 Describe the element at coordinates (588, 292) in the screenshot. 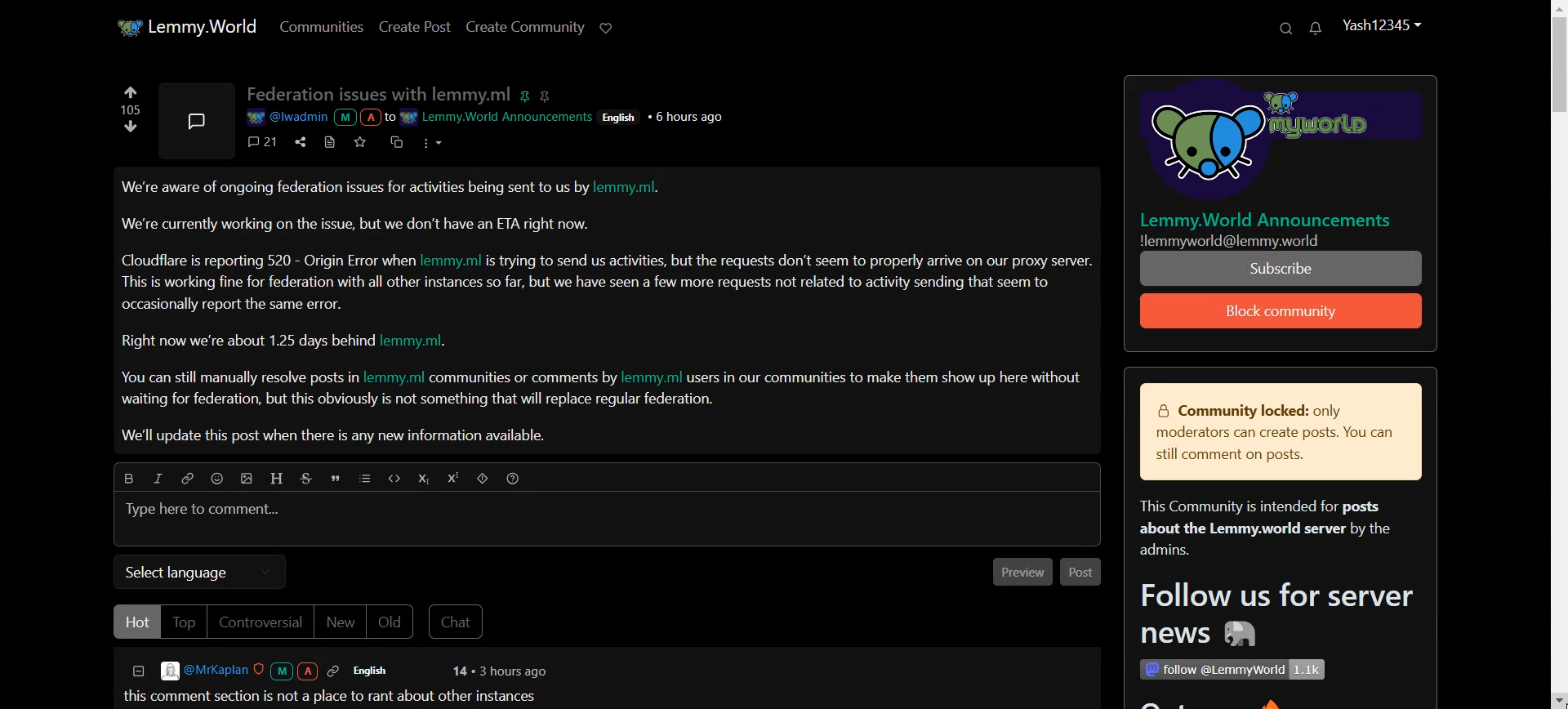

I see `This is working fine for federation with all other instances so far, but we have seen a few more requests not related to activity sending that seem to
occasionally report the same error.` at that location.